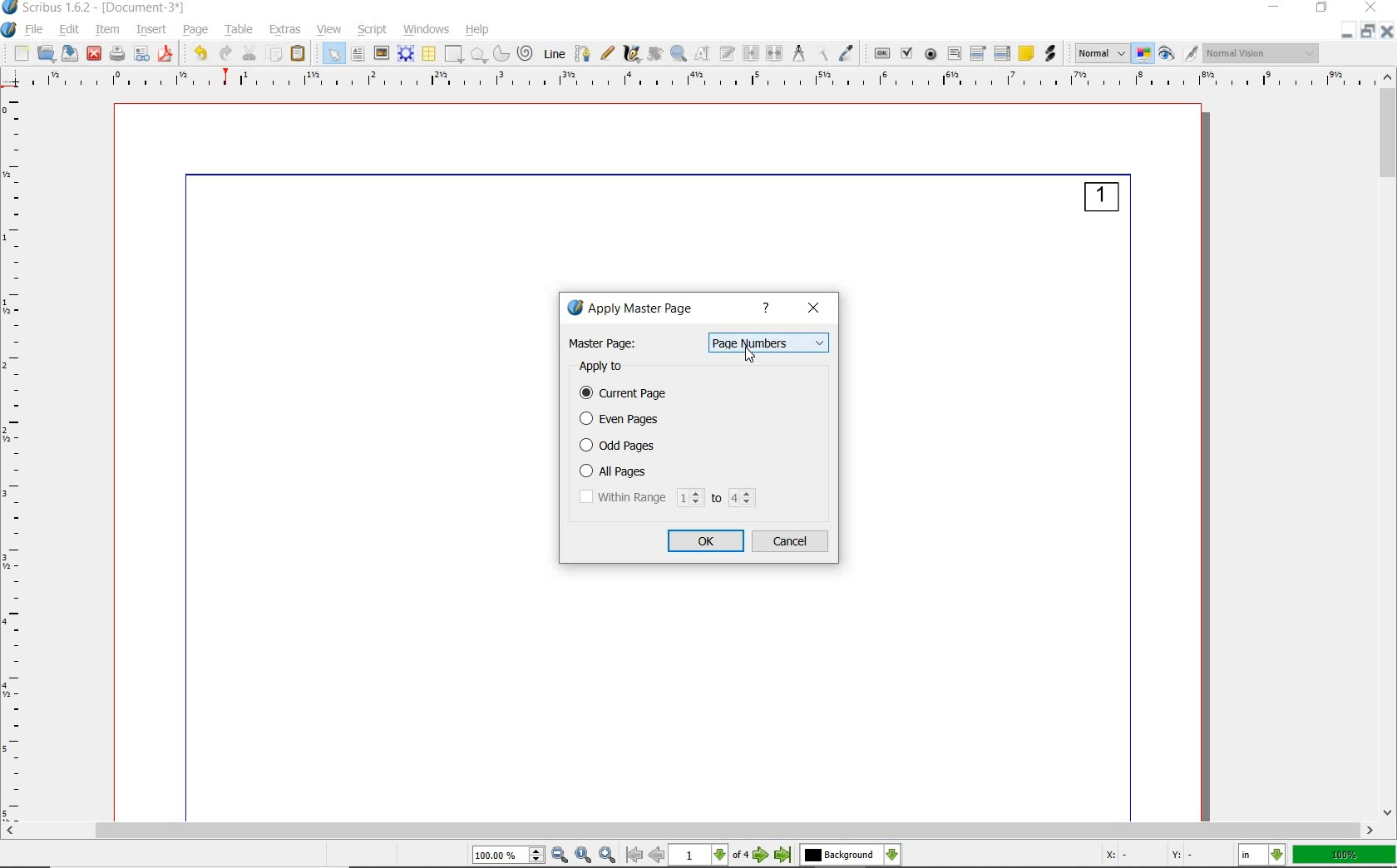 The image size is (1397, 868). I want to click on open, so click(46, 52).